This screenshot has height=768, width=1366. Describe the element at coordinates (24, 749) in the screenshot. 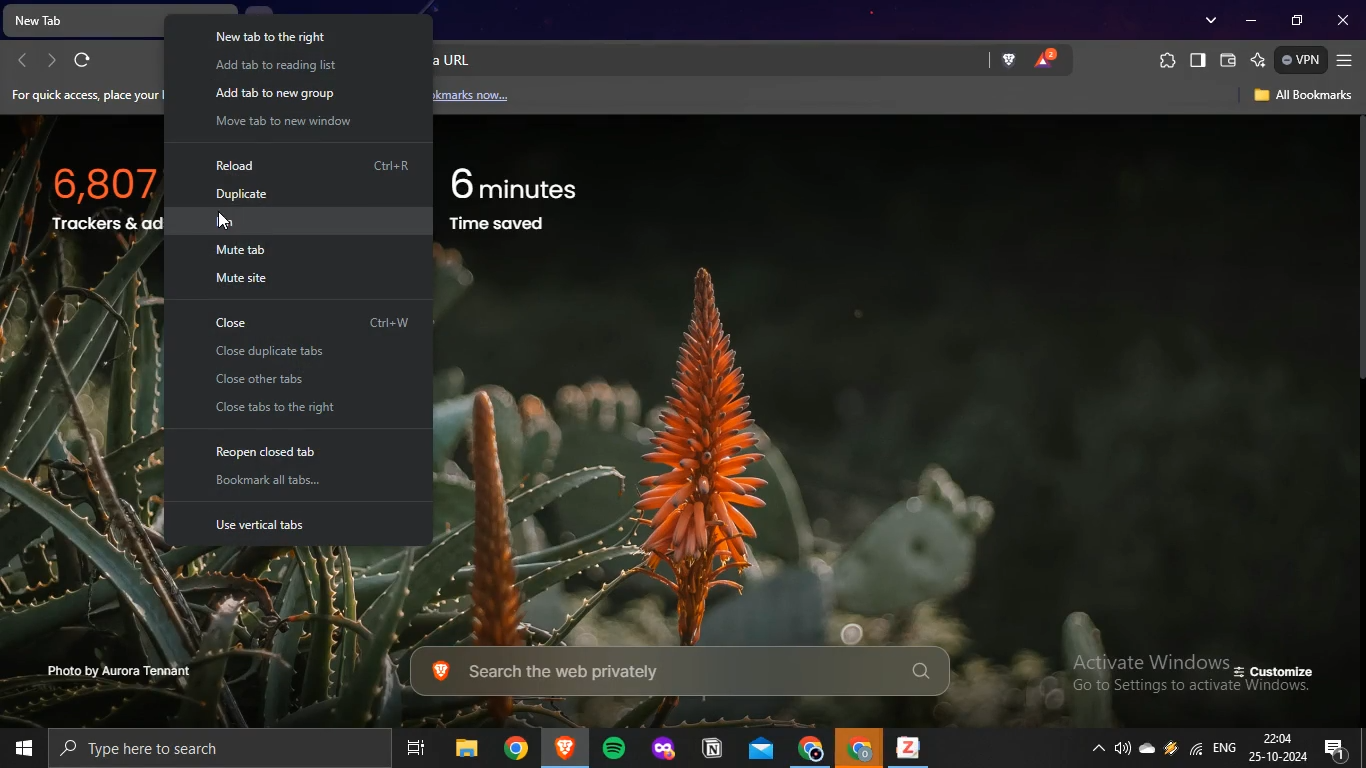

I see `start` at that location.